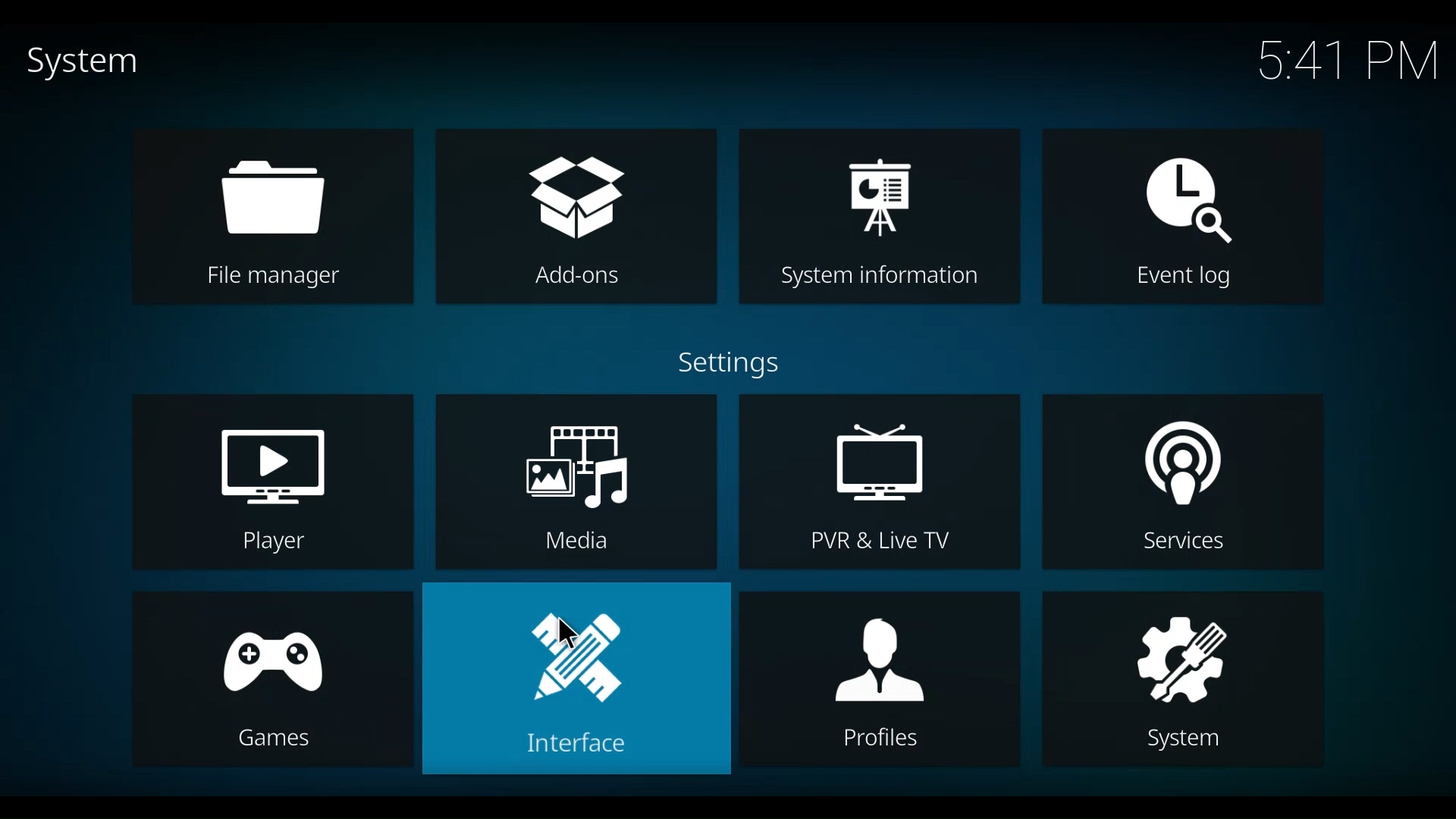 The height and width of the screenshot is (819, 1456). What do you see at coordinates (274, 216) in the screenshot?
I see `File manager` at bounding box center [274, 216].